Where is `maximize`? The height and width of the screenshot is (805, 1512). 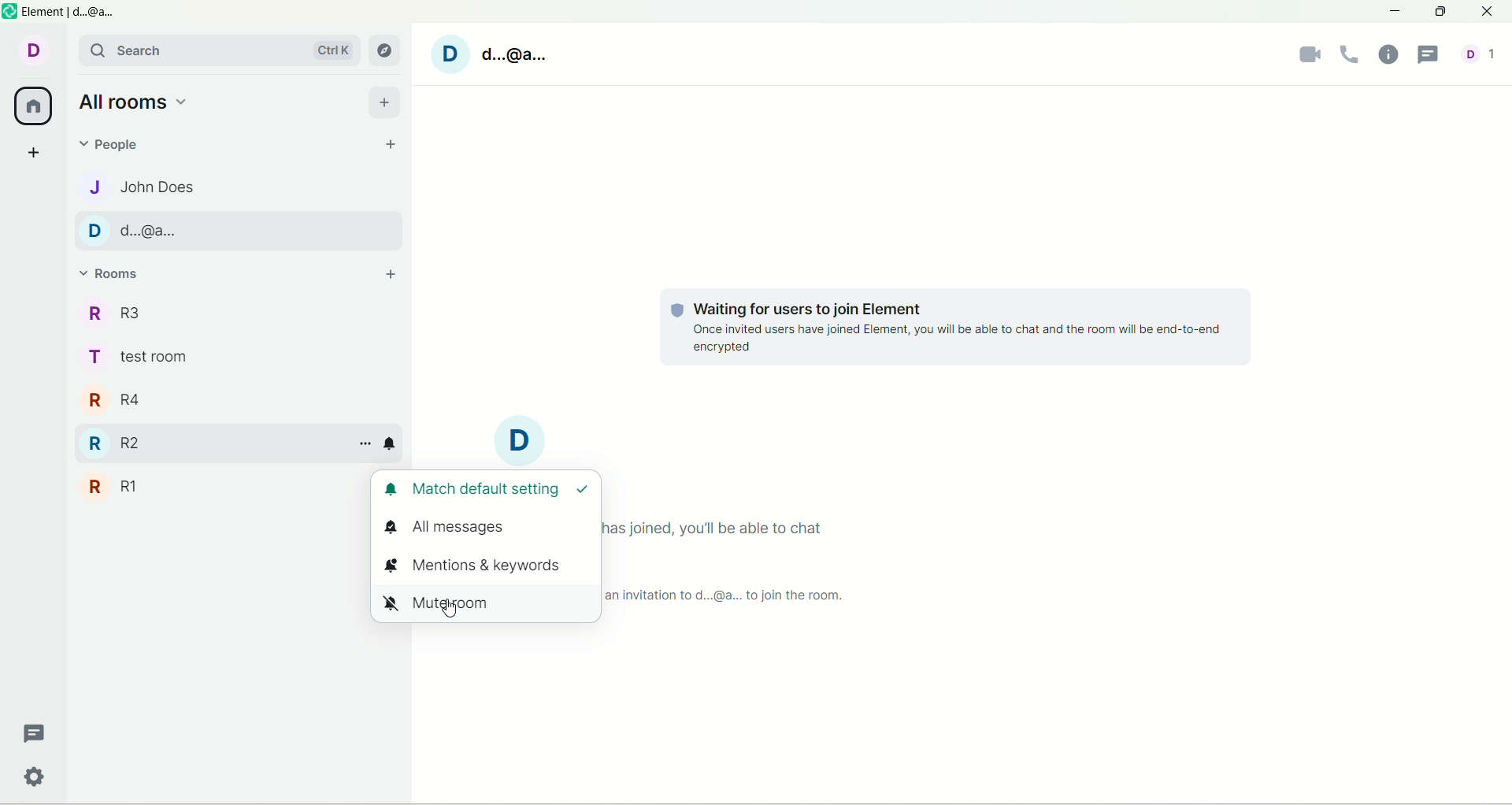
maximize is located at coordinates (1438, 14).